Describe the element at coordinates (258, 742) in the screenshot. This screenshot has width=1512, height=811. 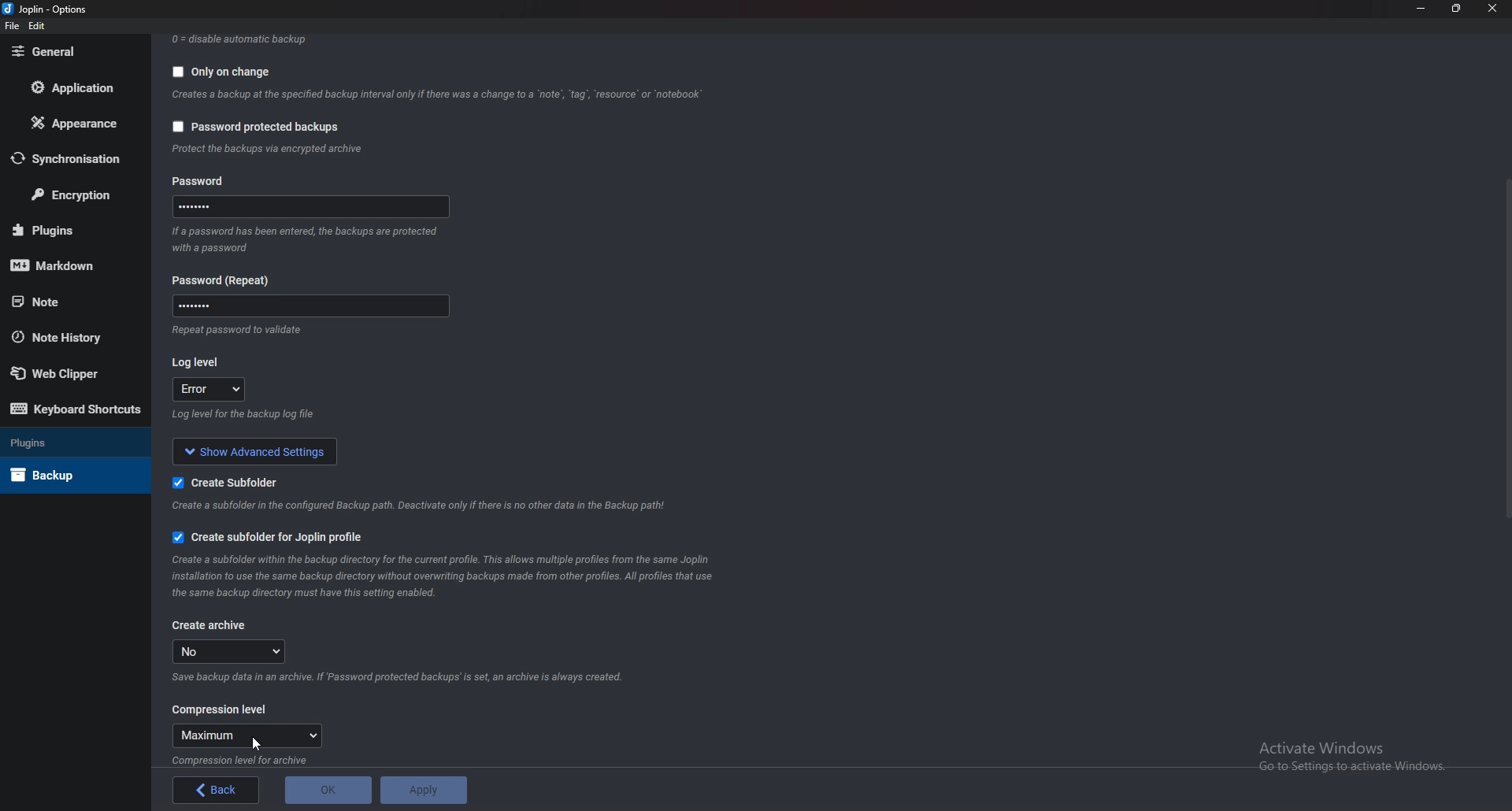
I see `Cursor` at that location.